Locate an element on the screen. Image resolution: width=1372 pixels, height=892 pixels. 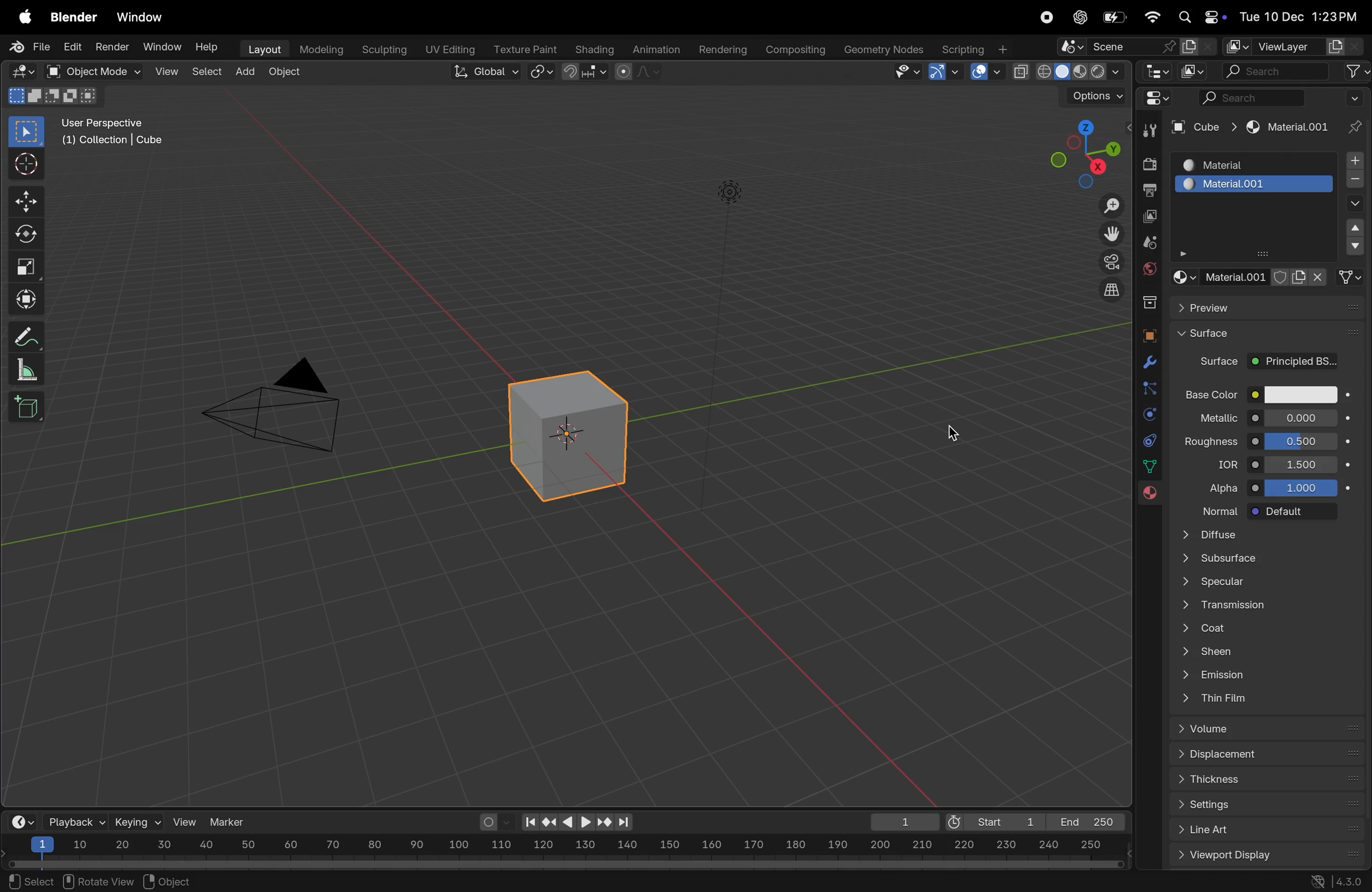
cursor is located at coordinates (24, 165).